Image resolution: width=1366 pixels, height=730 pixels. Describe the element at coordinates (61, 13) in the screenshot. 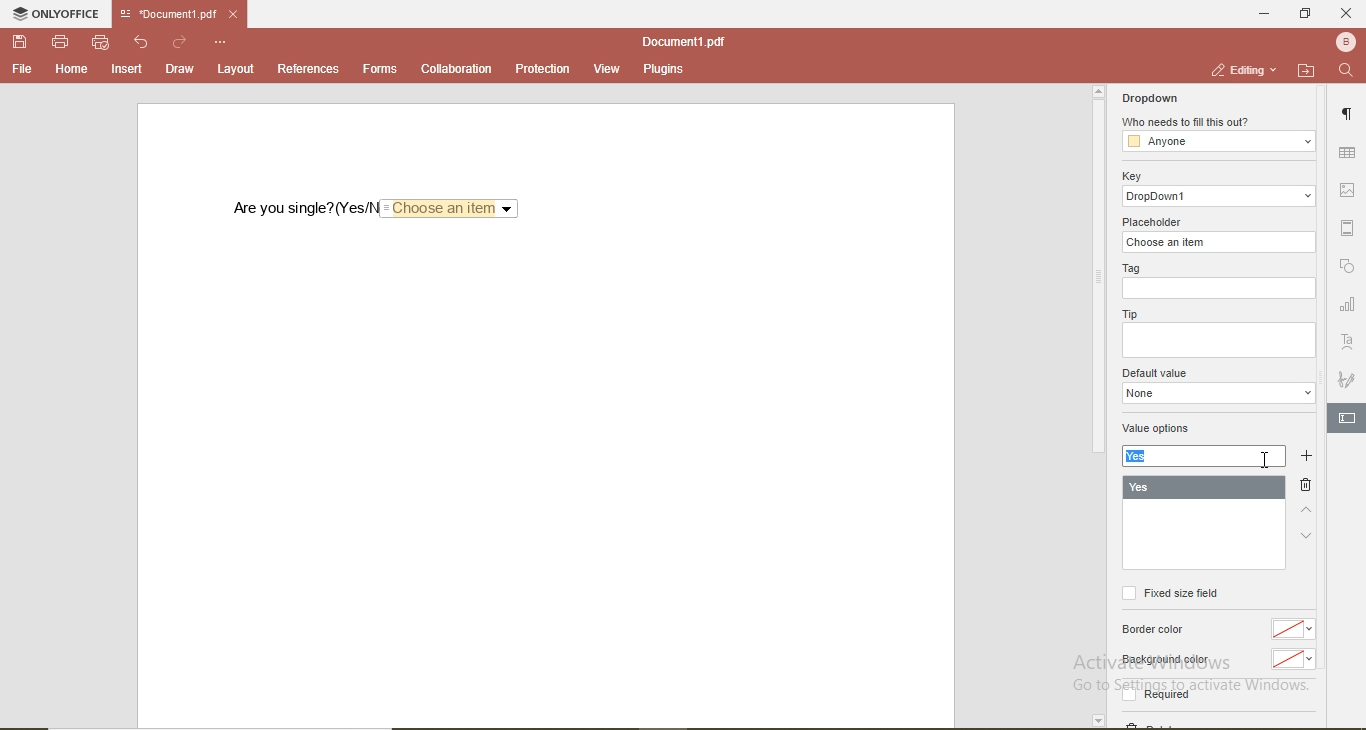

I see `onlyoffice` at that location.